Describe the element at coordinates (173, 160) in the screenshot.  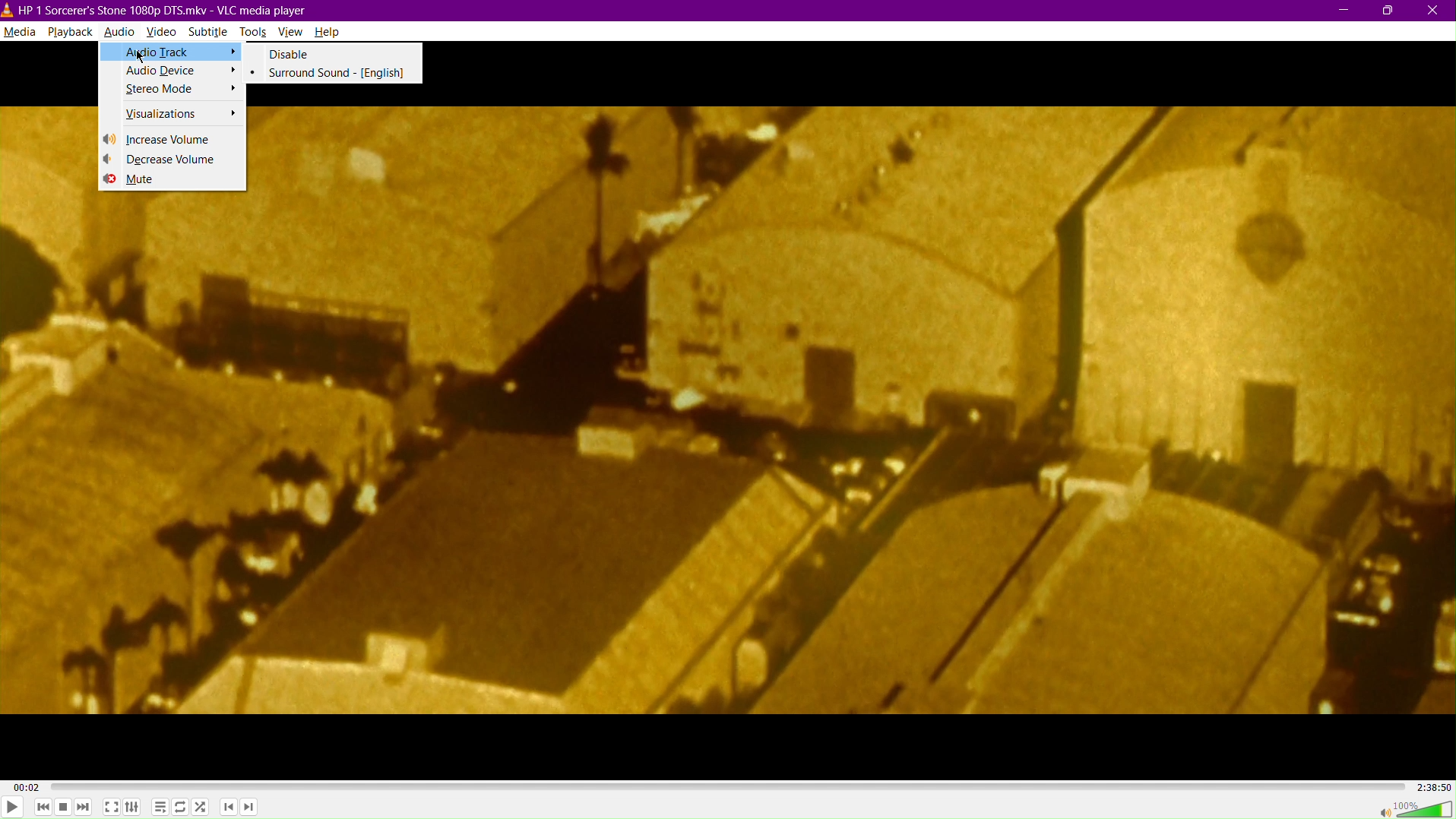
I see `Decrease Volume` at that location.